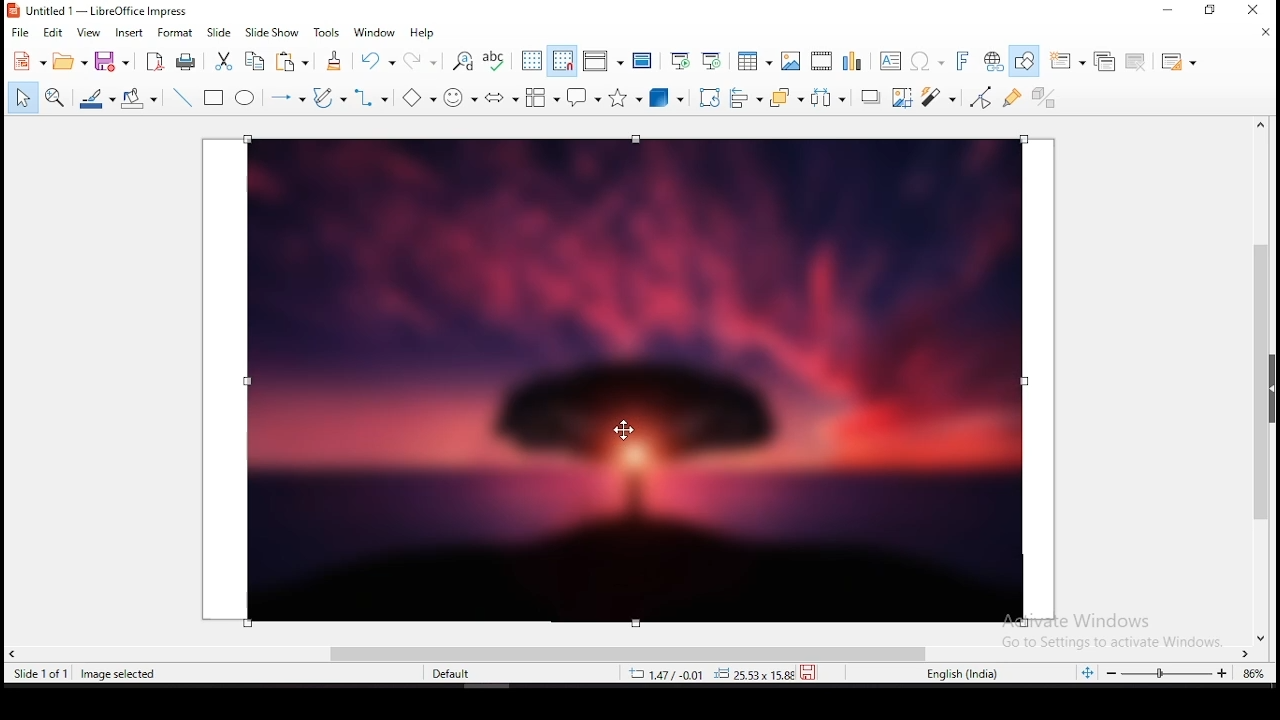 The height and width of the screenshot is (720, 1280). What do you see at coordinates (119, 675) in the screenshot?
I see `image seleted` at bounding box center [119, 675].